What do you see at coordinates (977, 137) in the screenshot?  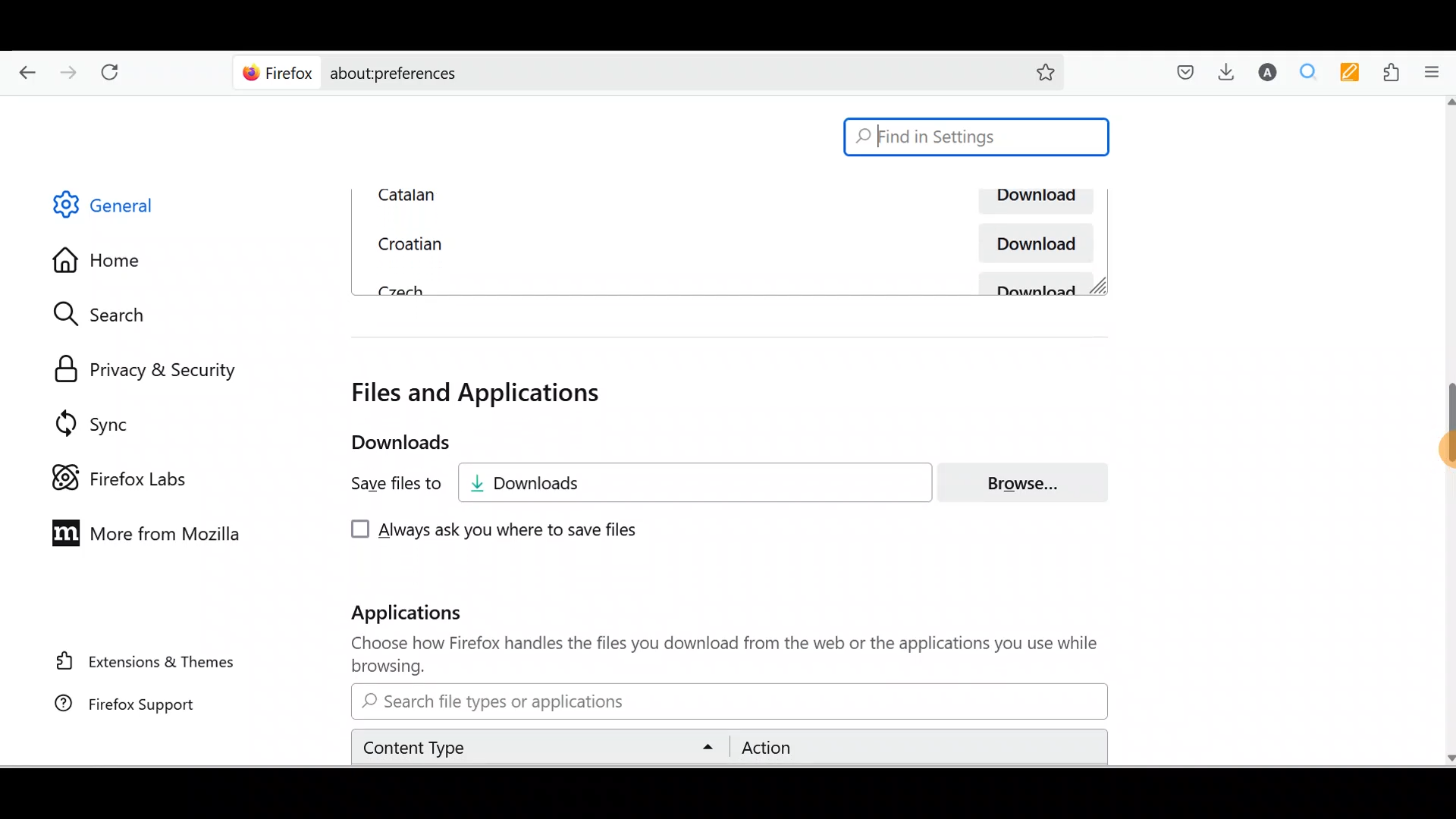 I see `Search bar` at bounding box center [977, 137].